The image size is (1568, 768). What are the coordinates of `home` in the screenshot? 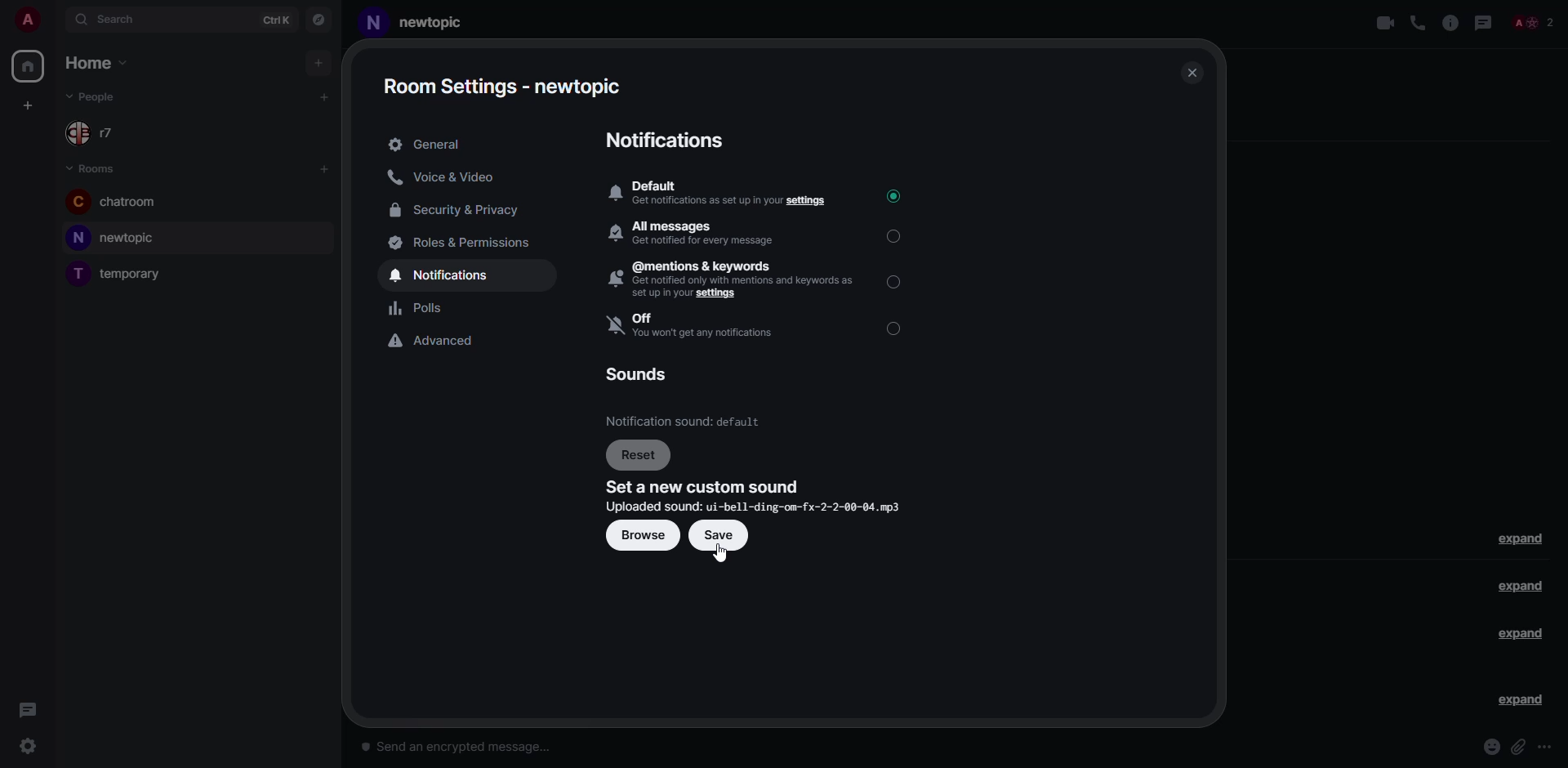 It's located at (96, 63).